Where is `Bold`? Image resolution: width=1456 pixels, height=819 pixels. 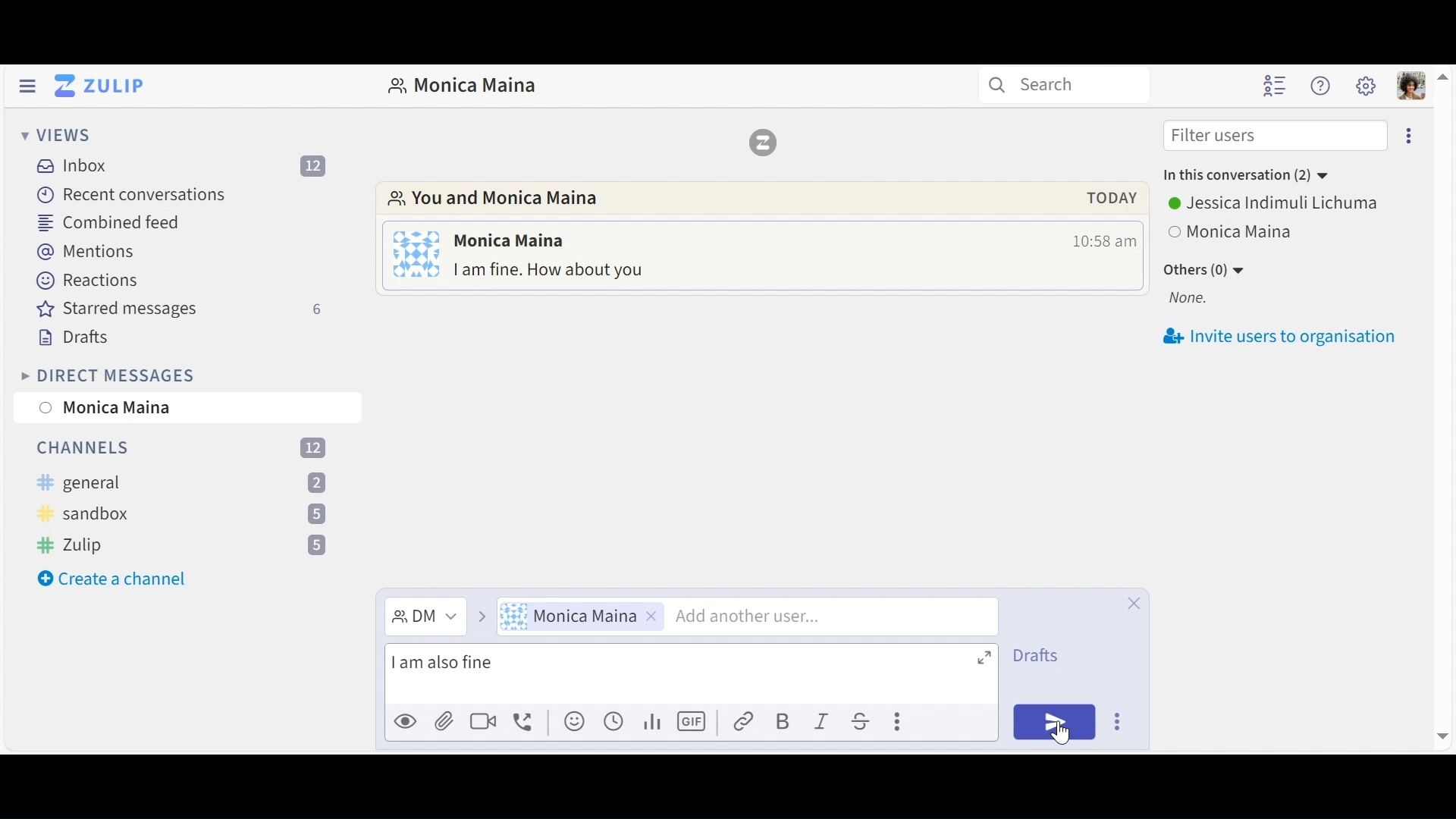 Bold is located at coordinates (786, 721).